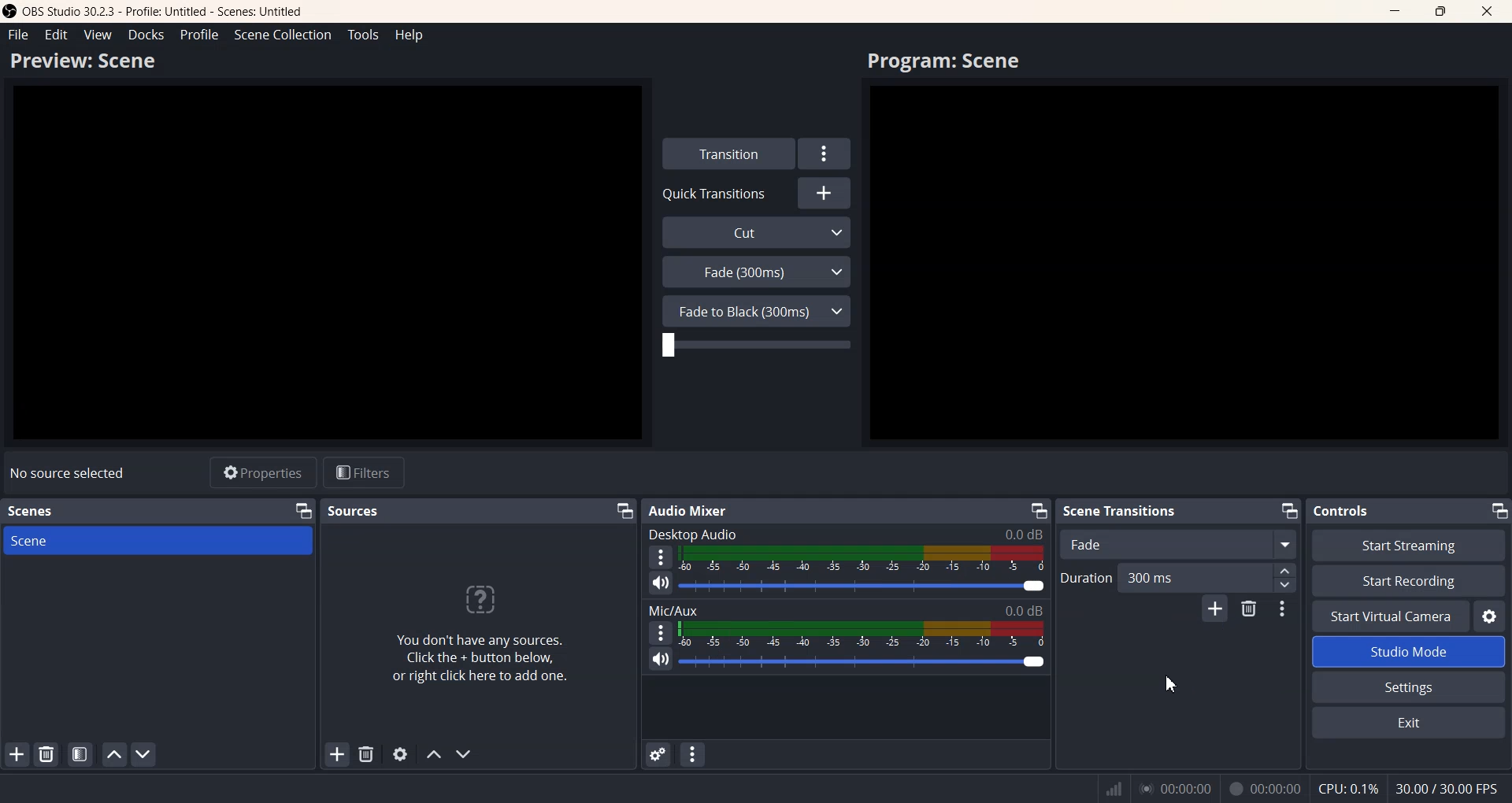 The image size is (1512, 803). I want to click on Add Scene, so click(13, 754).